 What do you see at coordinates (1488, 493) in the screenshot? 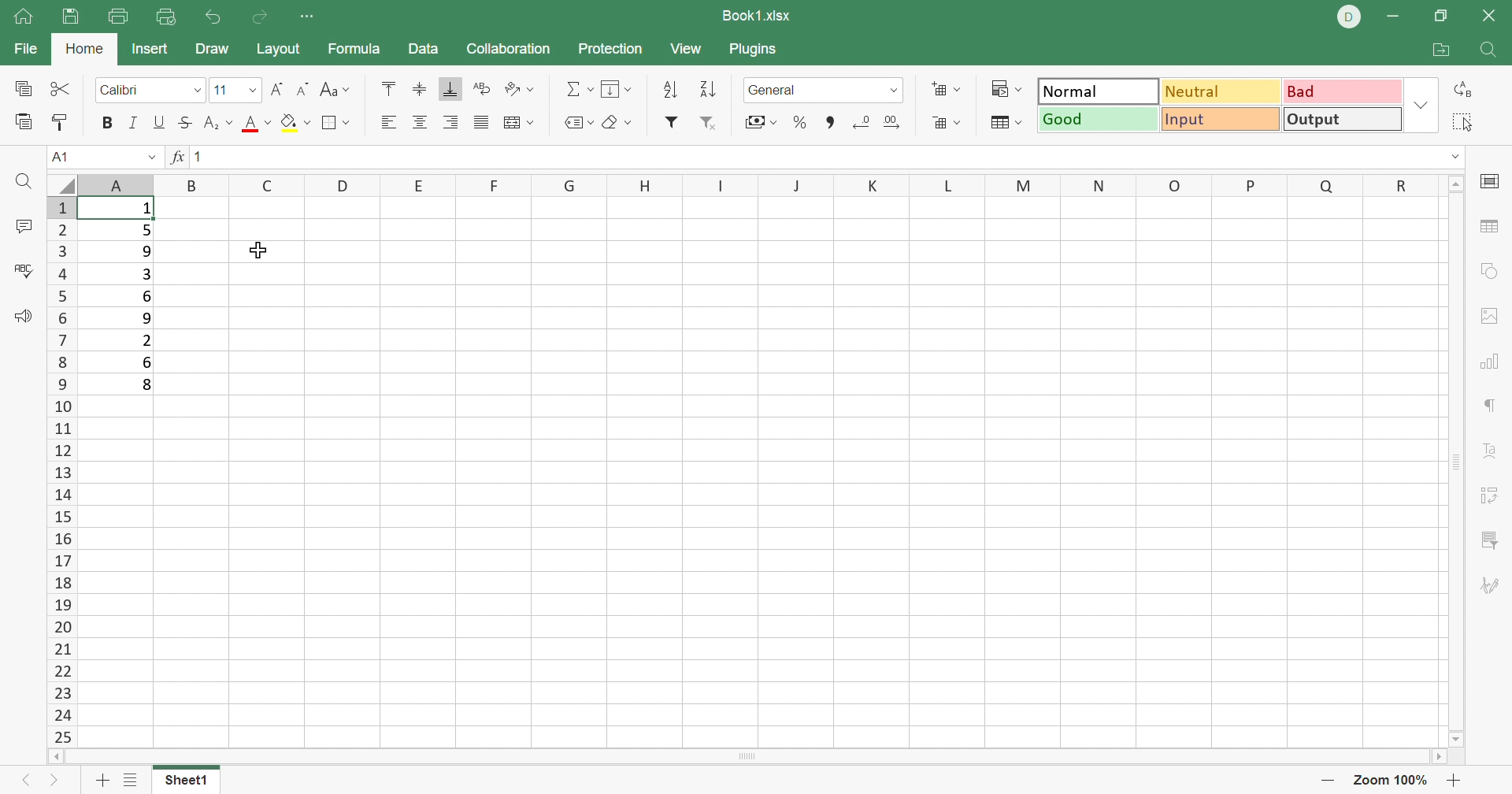
I see `Pivot Table  settings` at bounding box center [1488, 493].